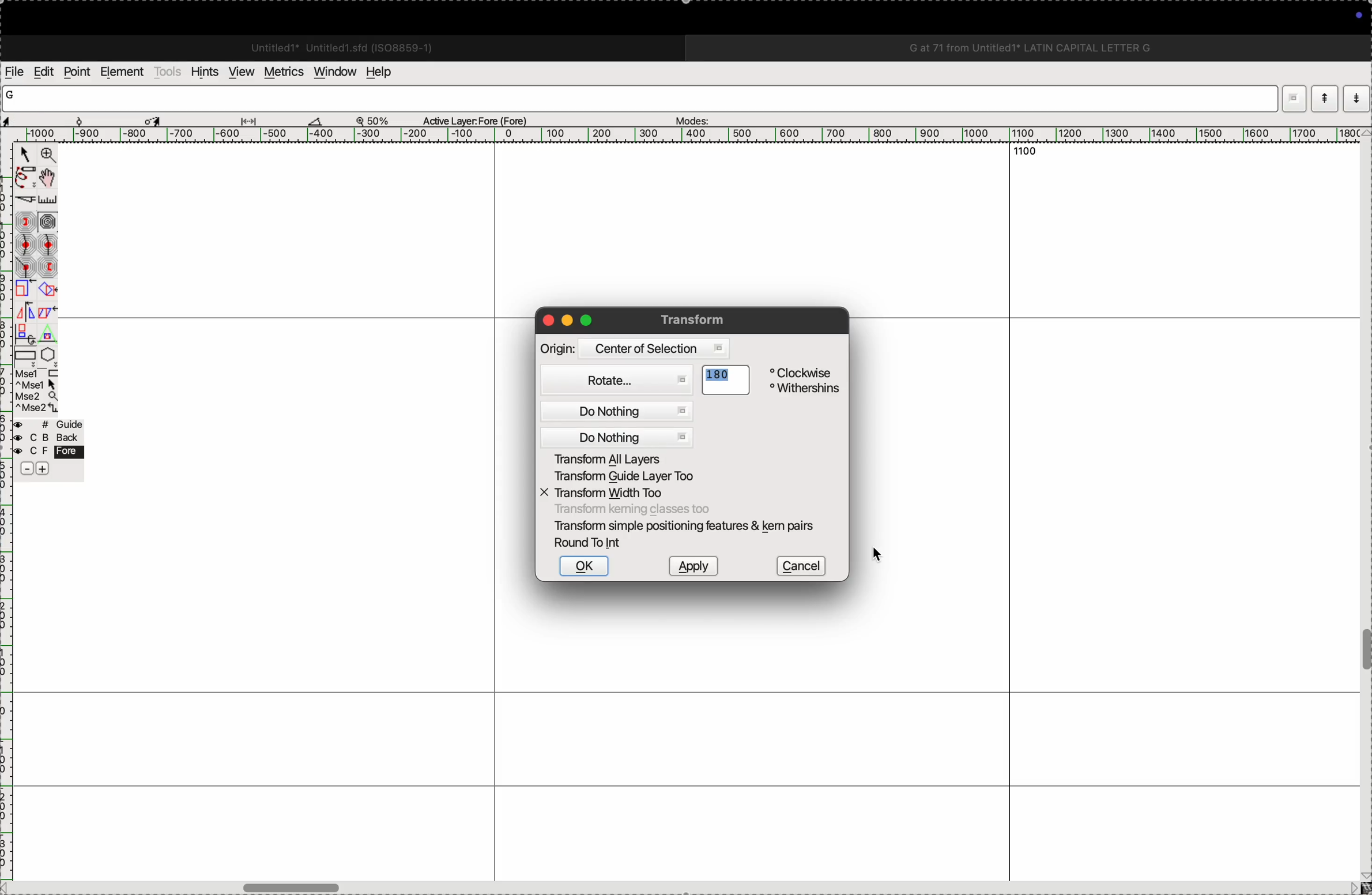 Image resolution: width=1372 pixels, height=895 pixels. What do you see at coordinates (25, 222) in the screenshot?
I see `next constraint point` at bounding box center [25, 222].